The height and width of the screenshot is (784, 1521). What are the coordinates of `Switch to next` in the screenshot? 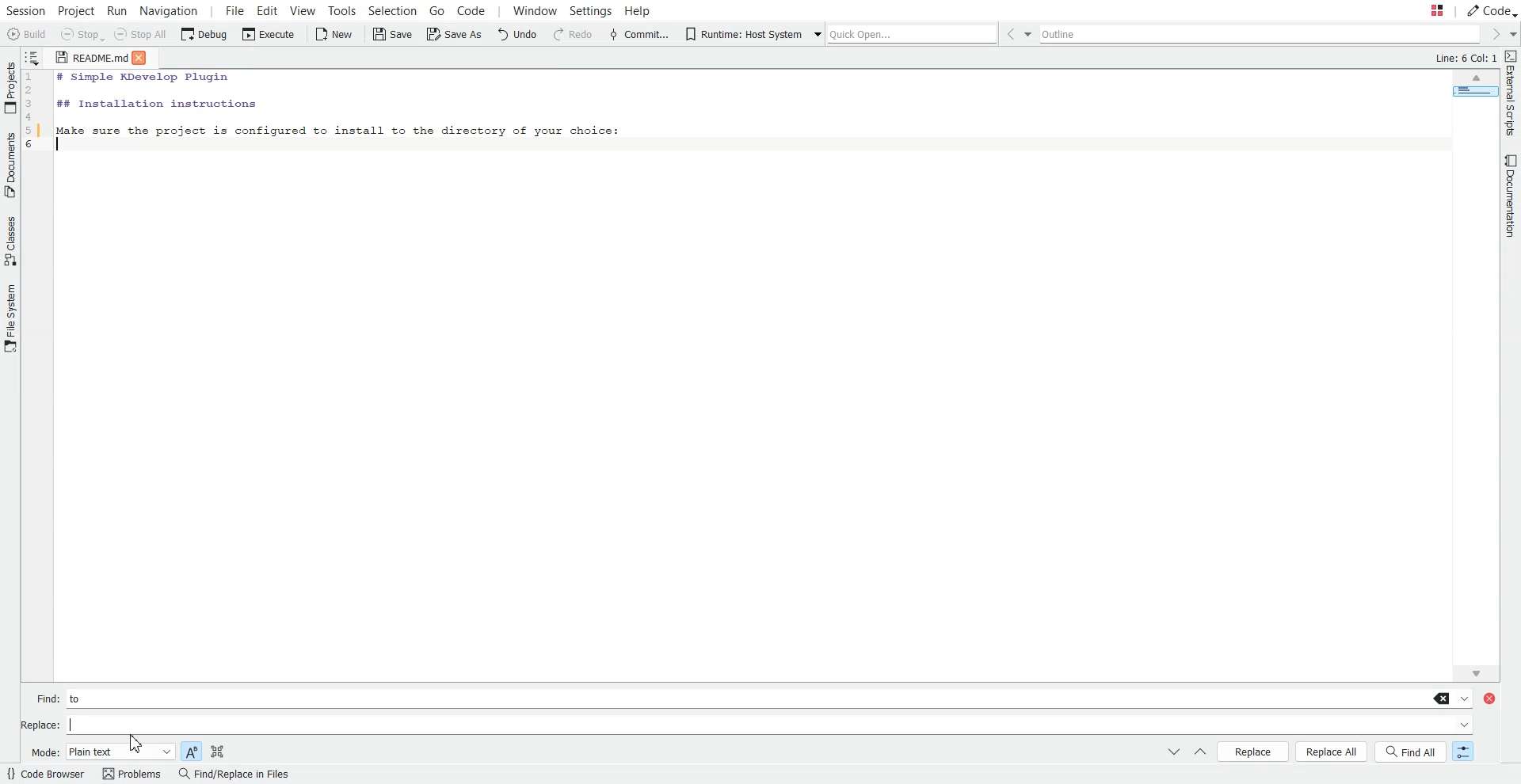 It's located at (1174, 752).